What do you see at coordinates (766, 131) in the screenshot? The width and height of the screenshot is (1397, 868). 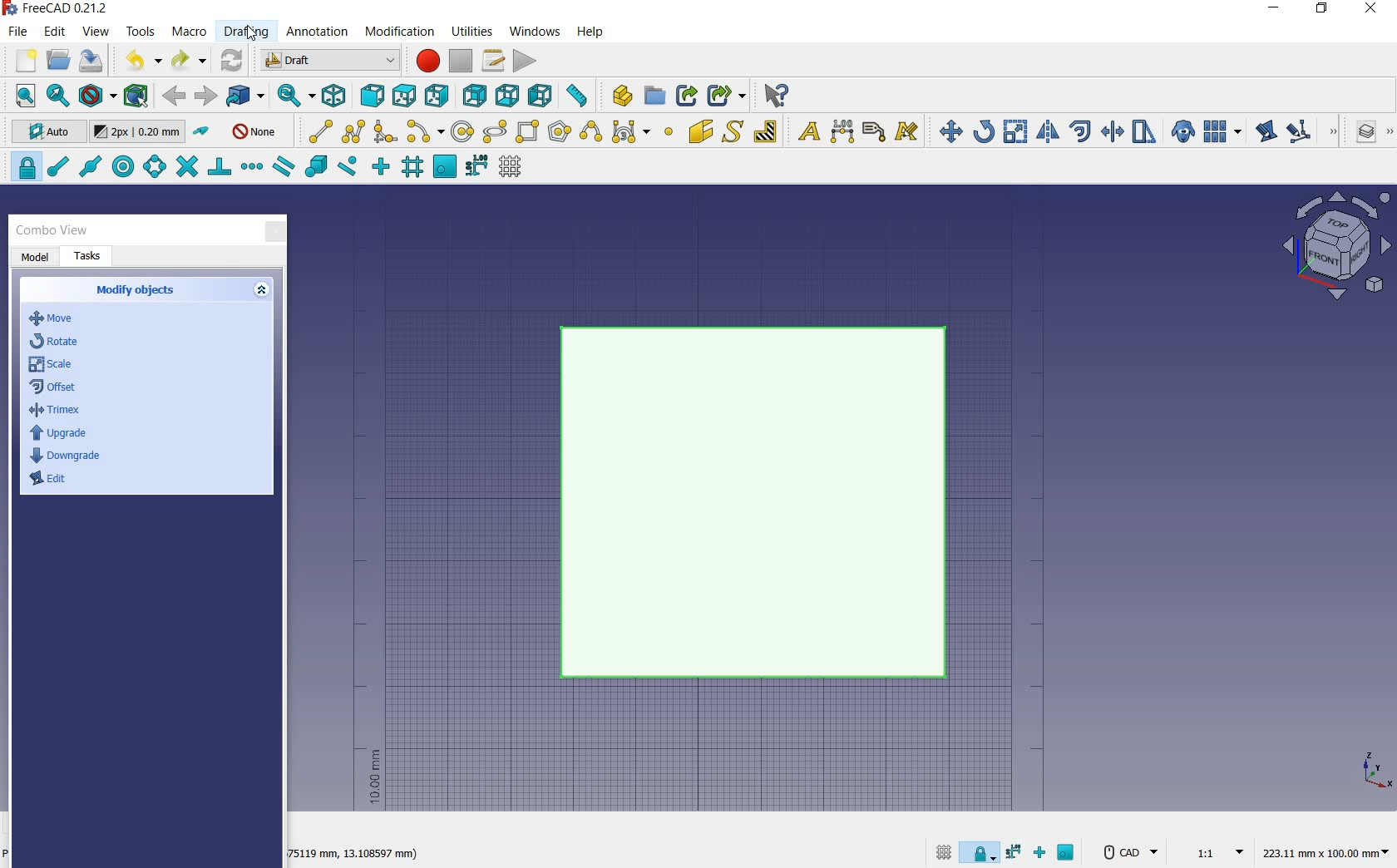 I see `hatch` at bounding box center [766, 131].